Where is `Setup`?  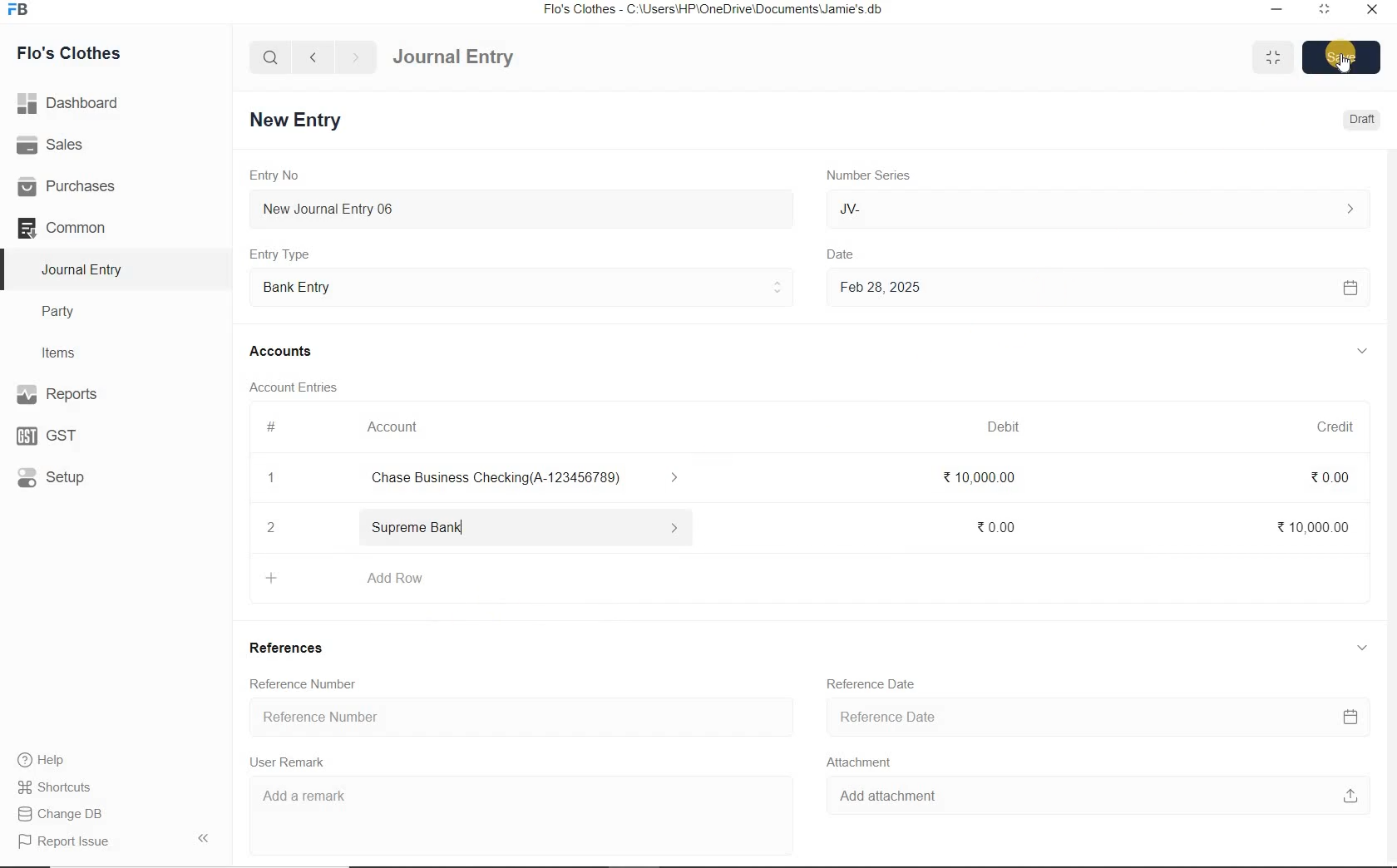 Setup is located at coordinates (67, 476).